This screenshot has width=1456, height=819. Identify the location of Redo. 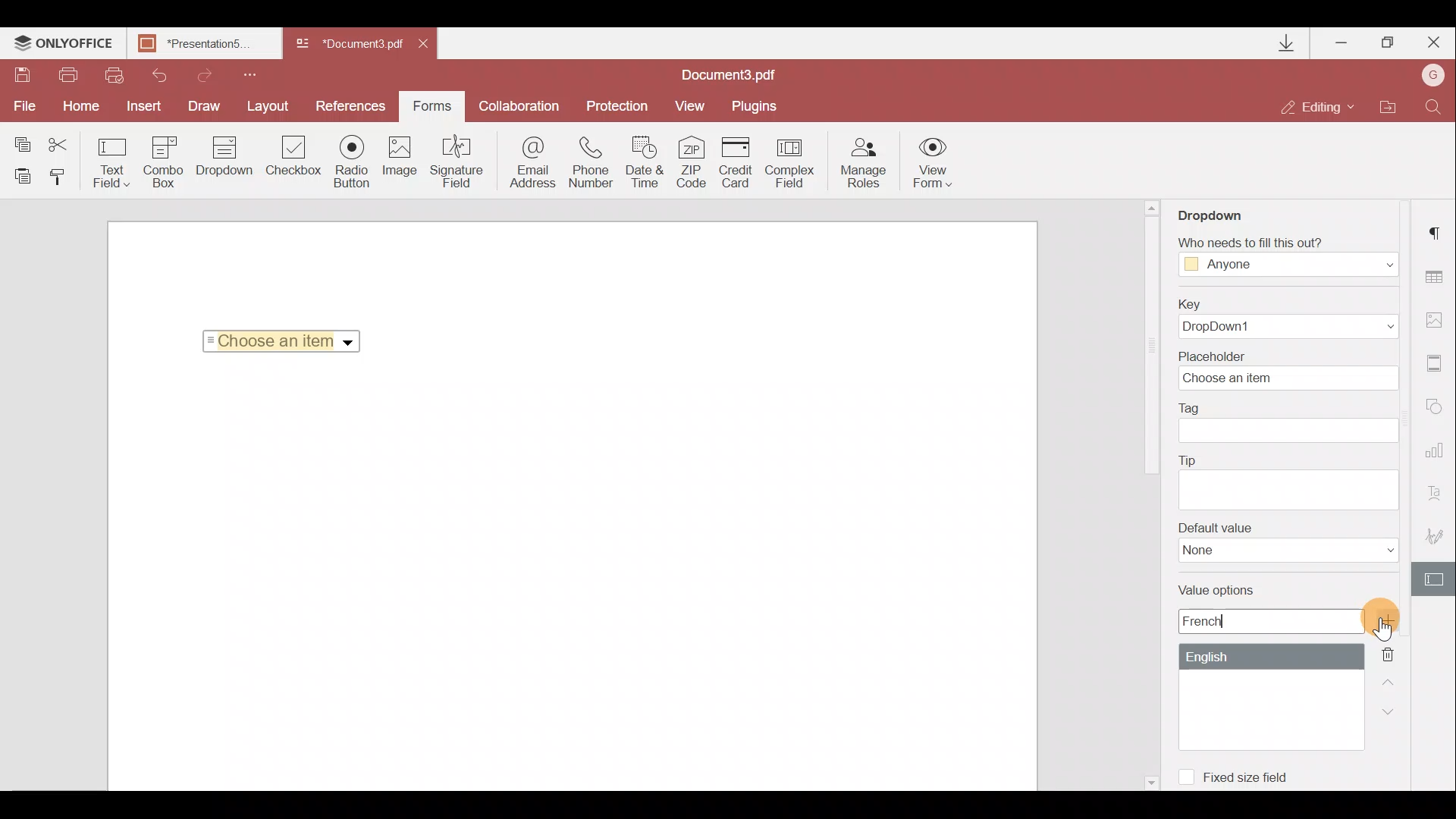
(197, 73).